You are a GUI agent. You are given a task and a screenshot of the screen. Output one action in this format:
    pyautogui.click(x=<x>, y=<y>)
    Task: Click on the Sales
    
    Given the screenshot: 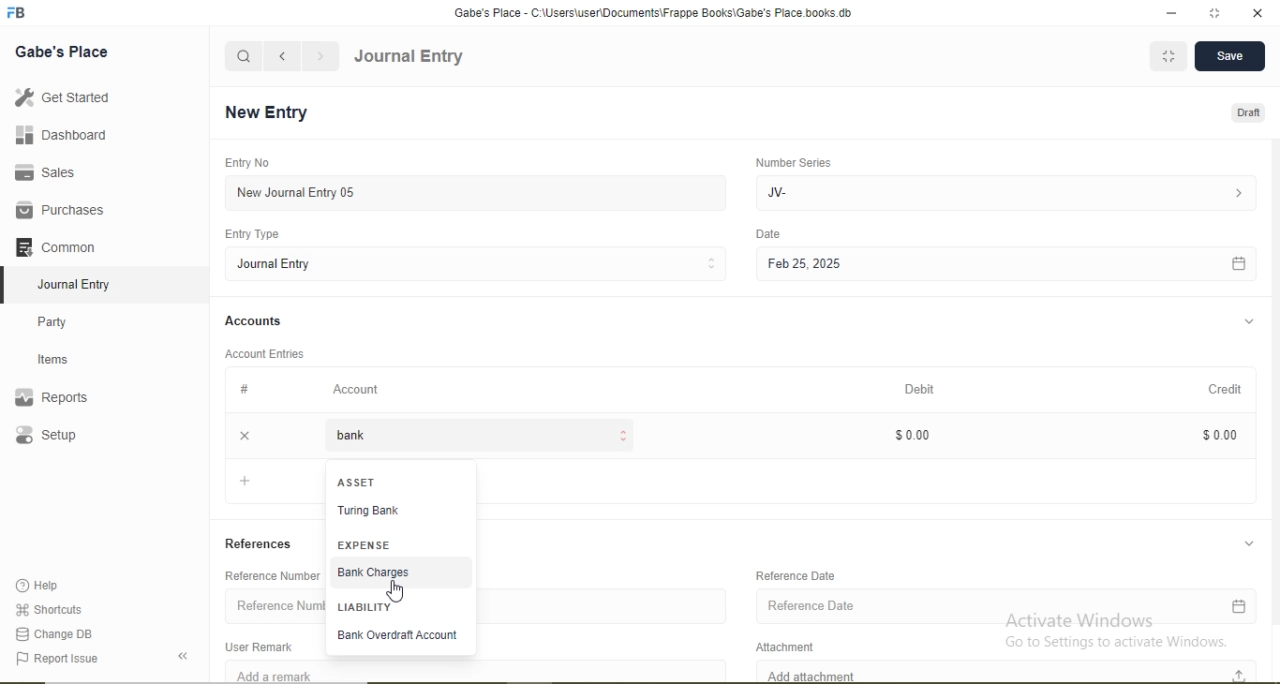 What is the action you would take?
    pyautogui.click(x=54, y=172)
    